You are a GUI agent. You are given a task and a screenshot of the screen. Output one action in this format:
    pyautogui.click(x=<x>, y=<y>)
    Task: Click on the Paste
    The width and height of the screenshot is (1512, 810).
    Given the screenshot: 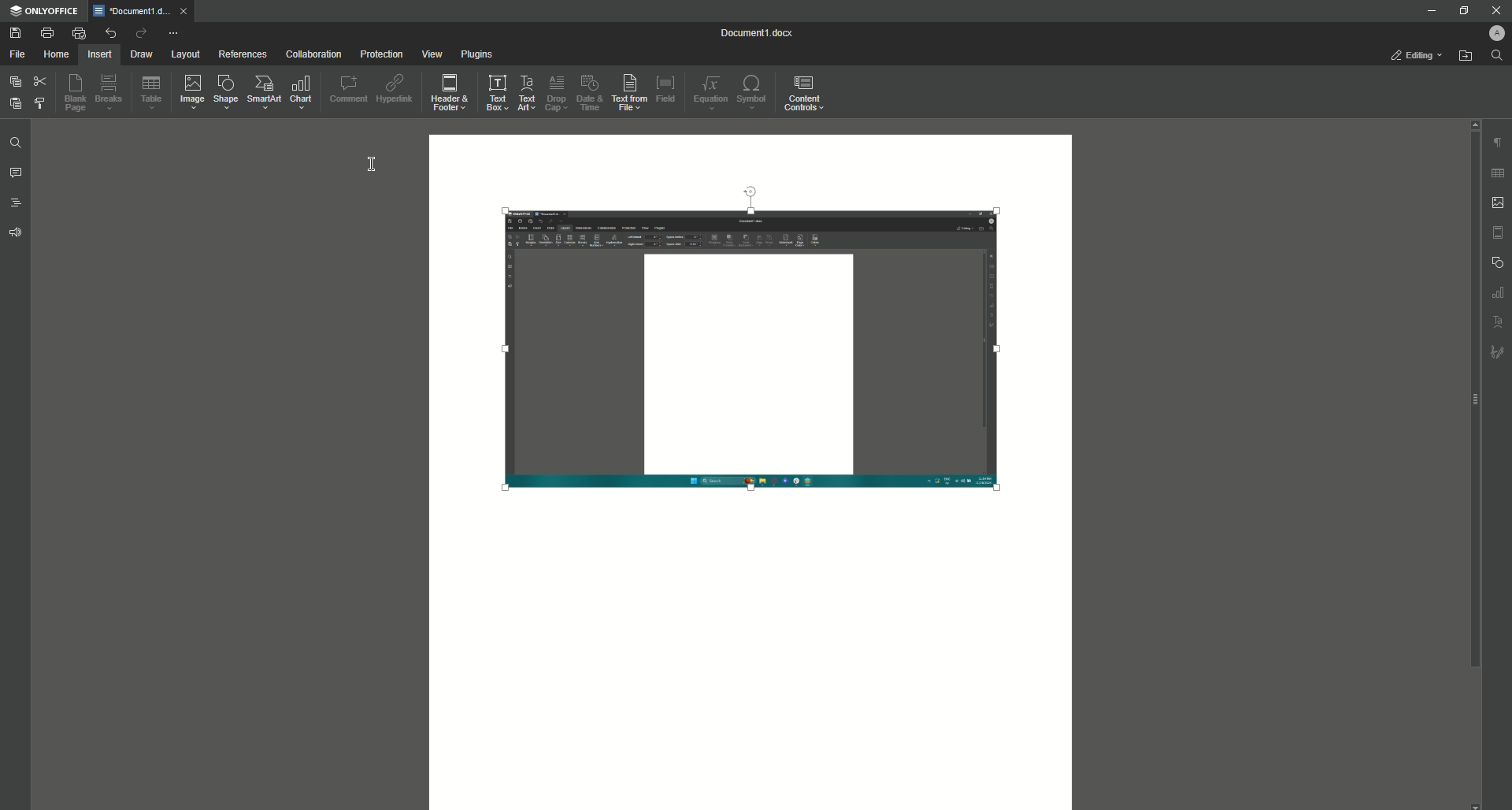 What is the action you would take?
    pyautogui.click(x=15, y=104)
    